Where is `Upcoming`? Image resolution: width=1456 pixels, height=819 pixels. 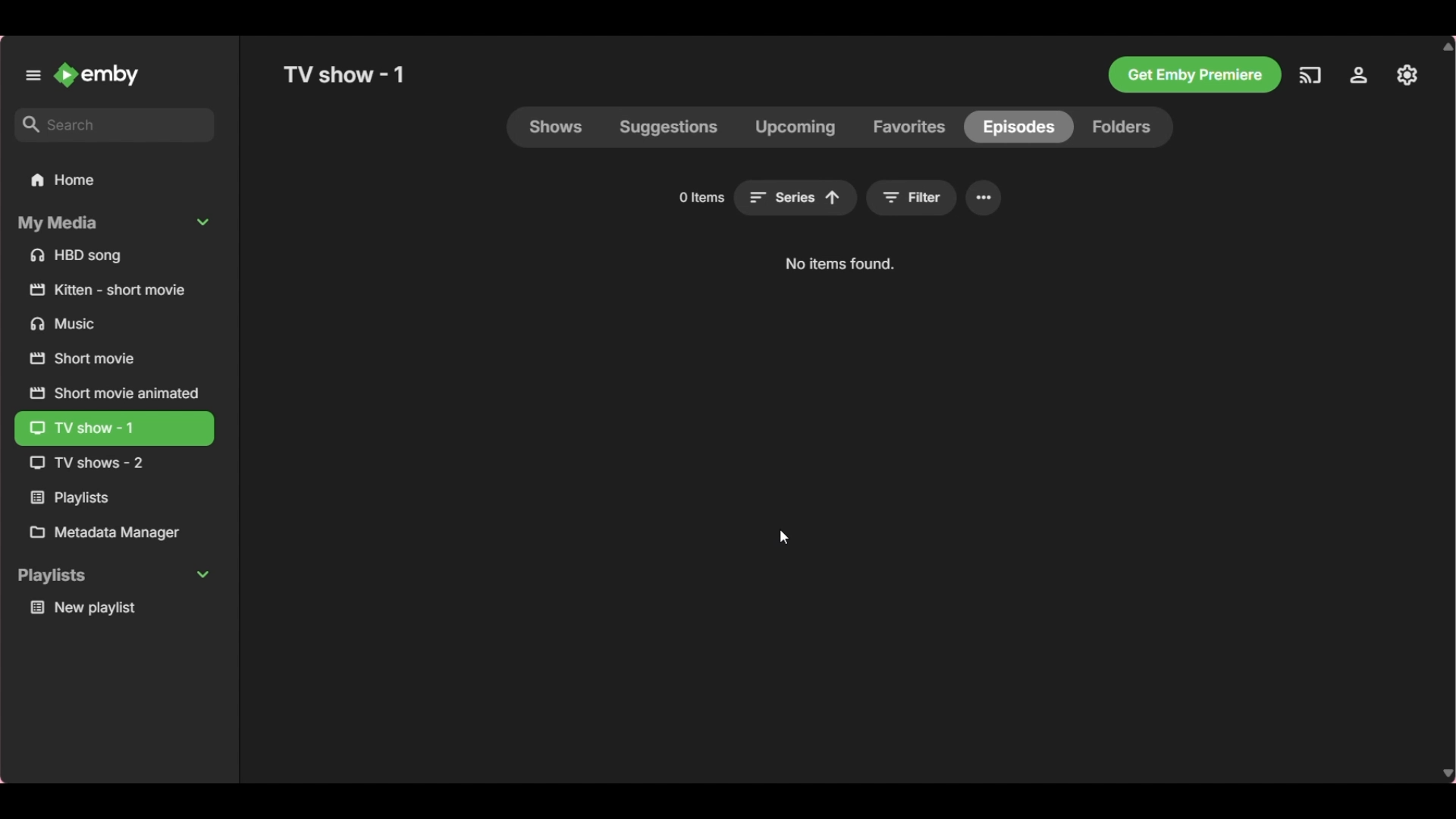
Upcoming is located at coordinates (795, 127).